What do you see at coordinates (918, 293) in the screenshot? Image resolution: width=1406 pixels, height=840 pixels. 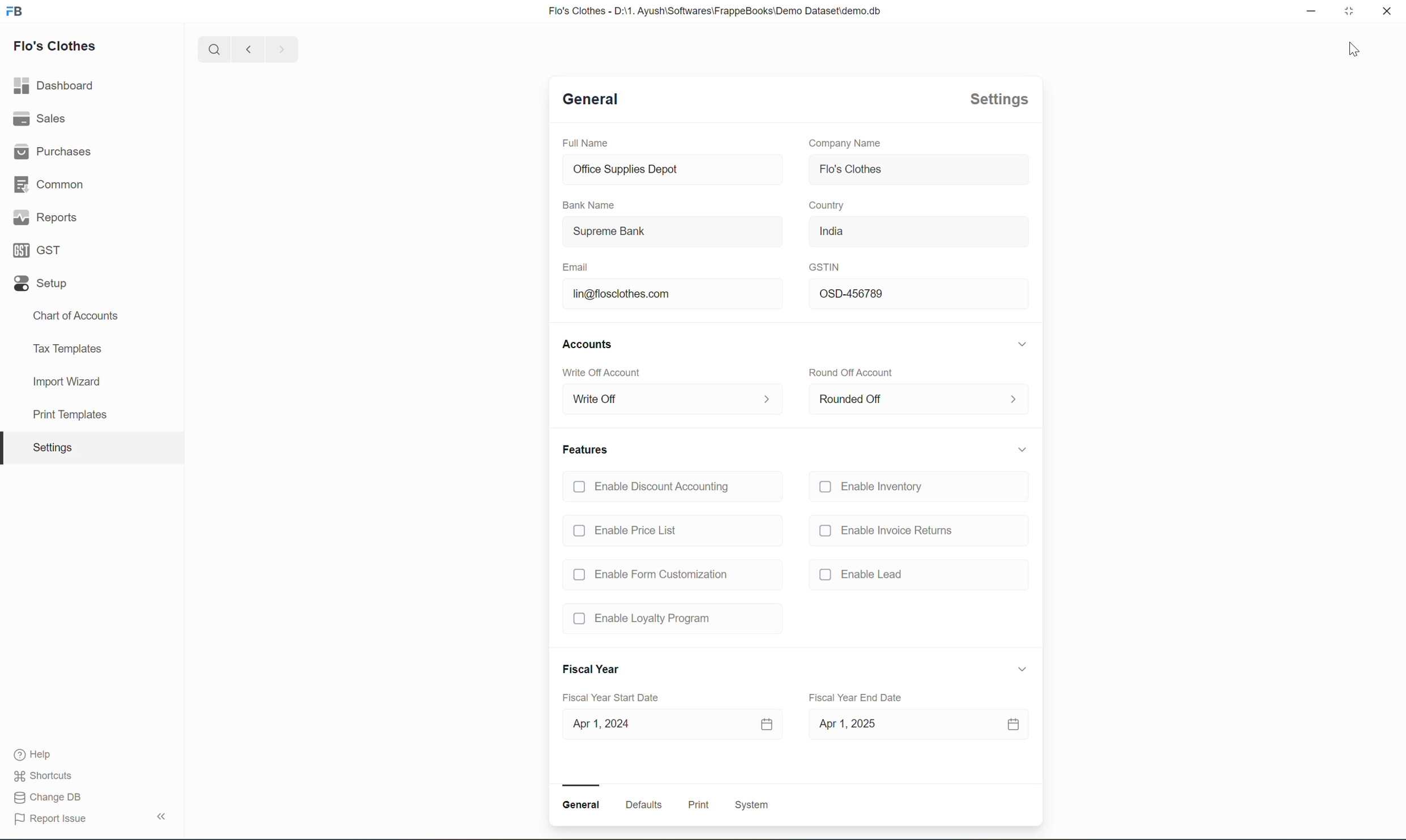 I see `OSD-456789` at bounding box center [918, 293].